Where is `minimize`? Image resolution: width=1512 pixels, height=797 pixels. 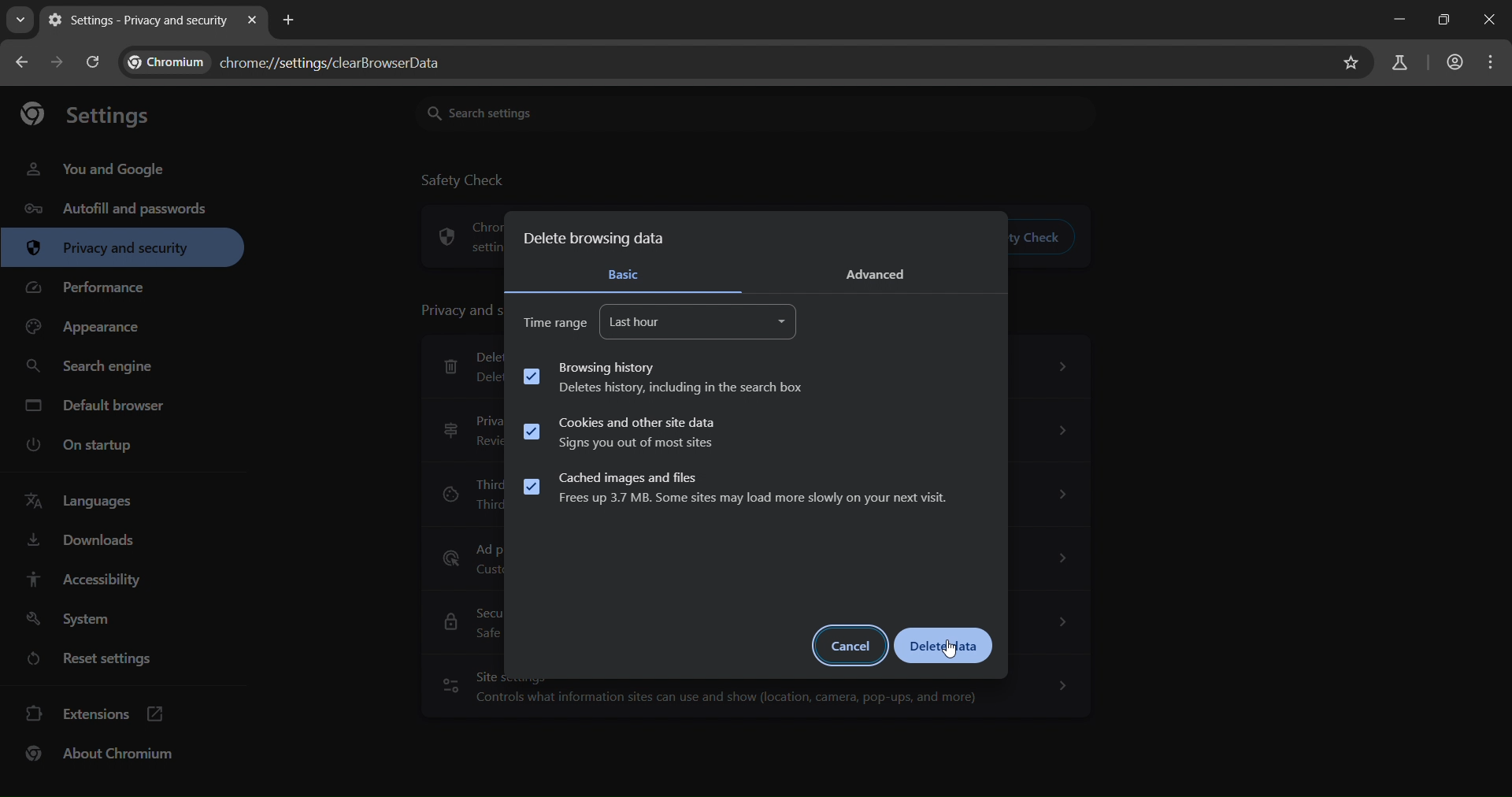
minimize is located at coordinates (1397, 21).